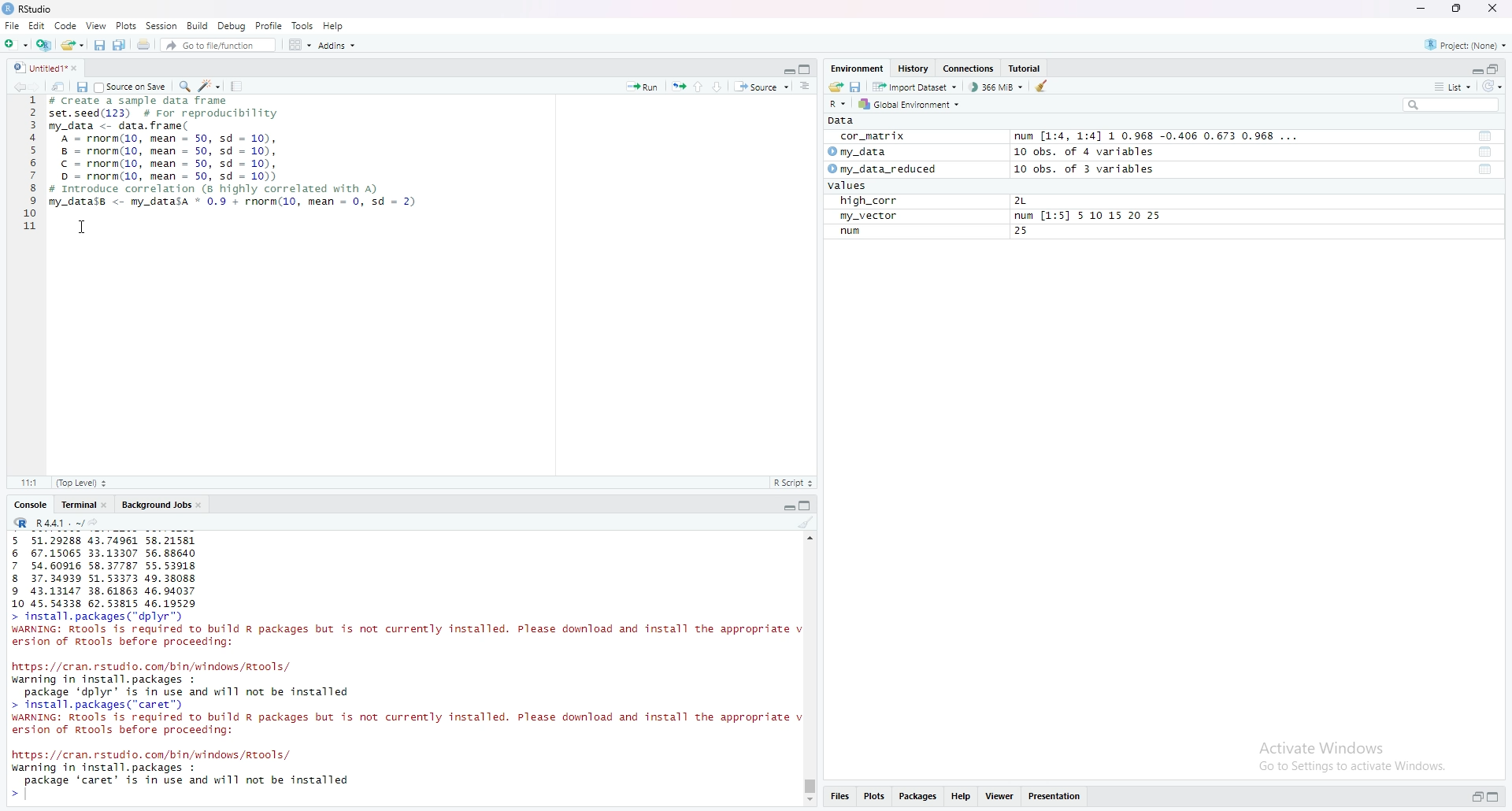  I want to click on R 4.4.1 ~/, so click(60, 523).